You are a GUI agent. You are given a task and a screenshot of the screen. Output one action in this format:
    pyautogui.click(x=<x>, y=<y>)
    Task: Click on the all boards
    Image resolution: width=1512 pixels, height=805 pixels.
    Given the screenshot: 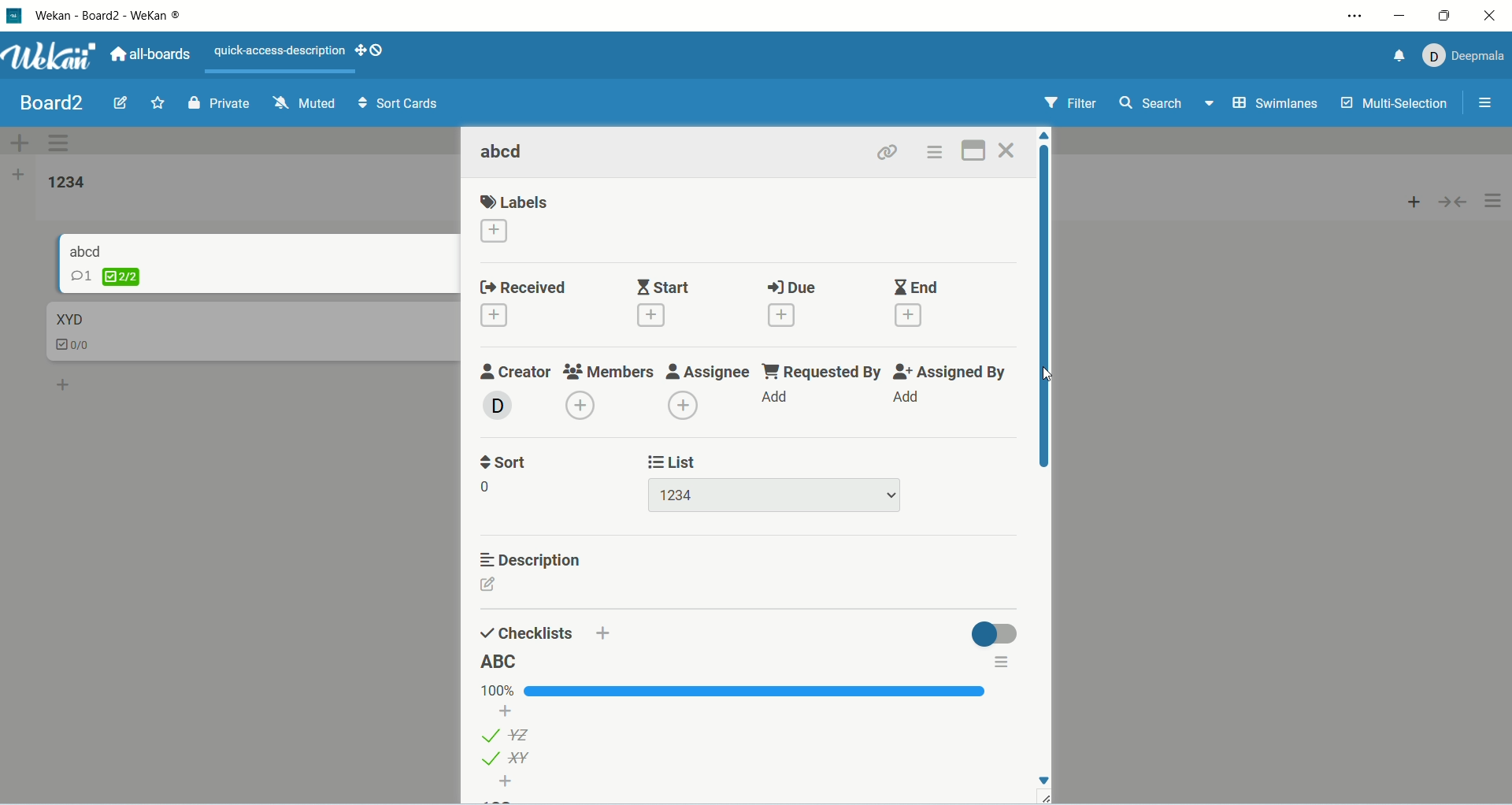 What is the action you would take?
    pyautogui.click(x=154, y=54)
    